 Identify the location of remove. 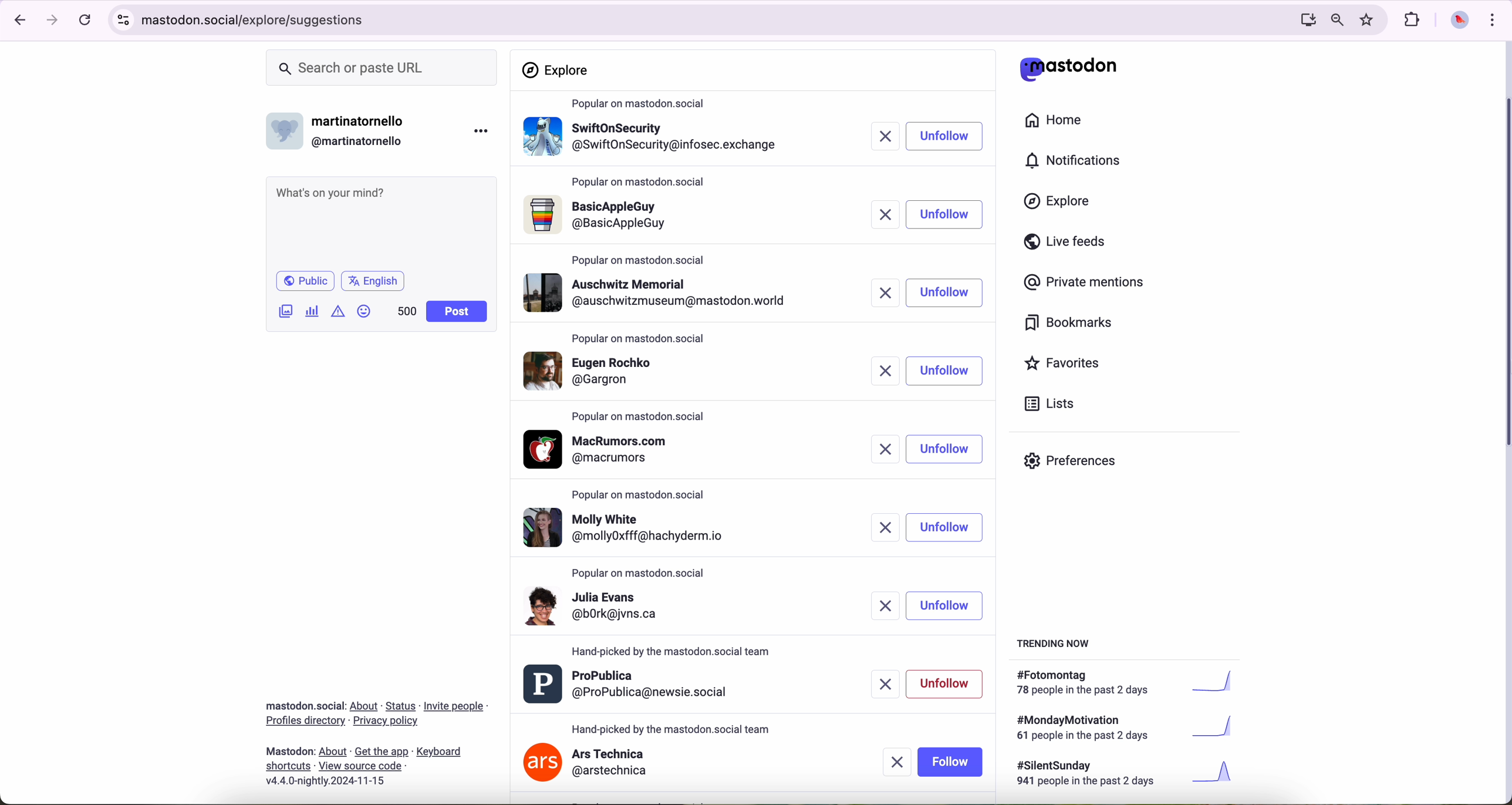
(882, 137).